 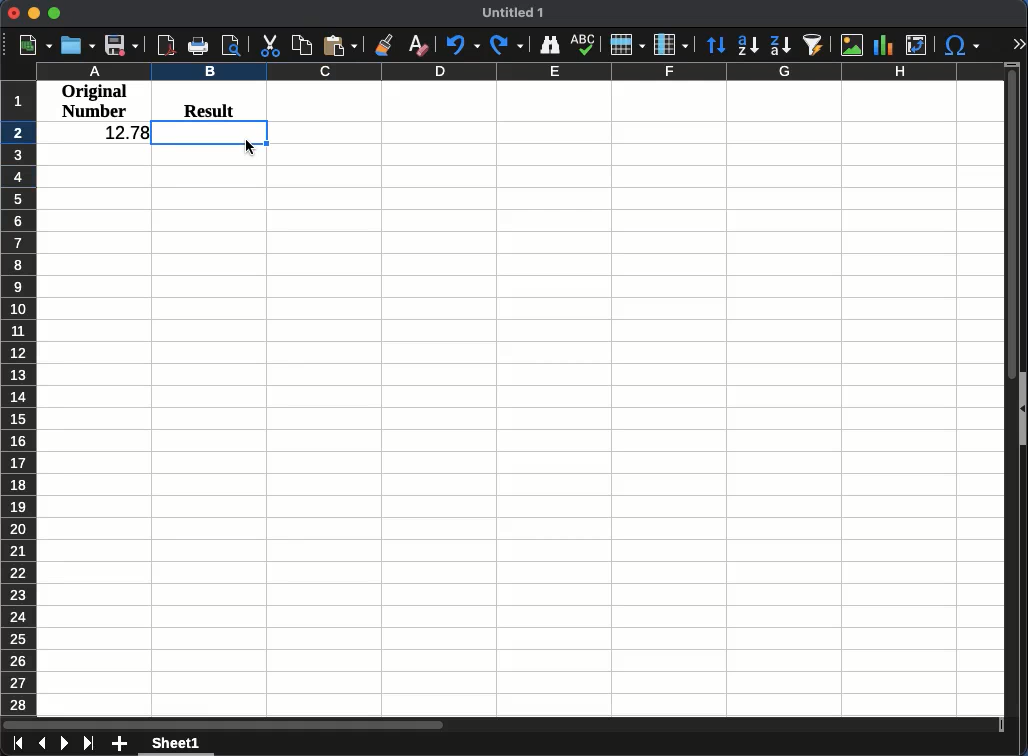 What do you see at coordinates (211, 132) in the screenshot?
I see `typing formula` at bounding box center [211, 132].